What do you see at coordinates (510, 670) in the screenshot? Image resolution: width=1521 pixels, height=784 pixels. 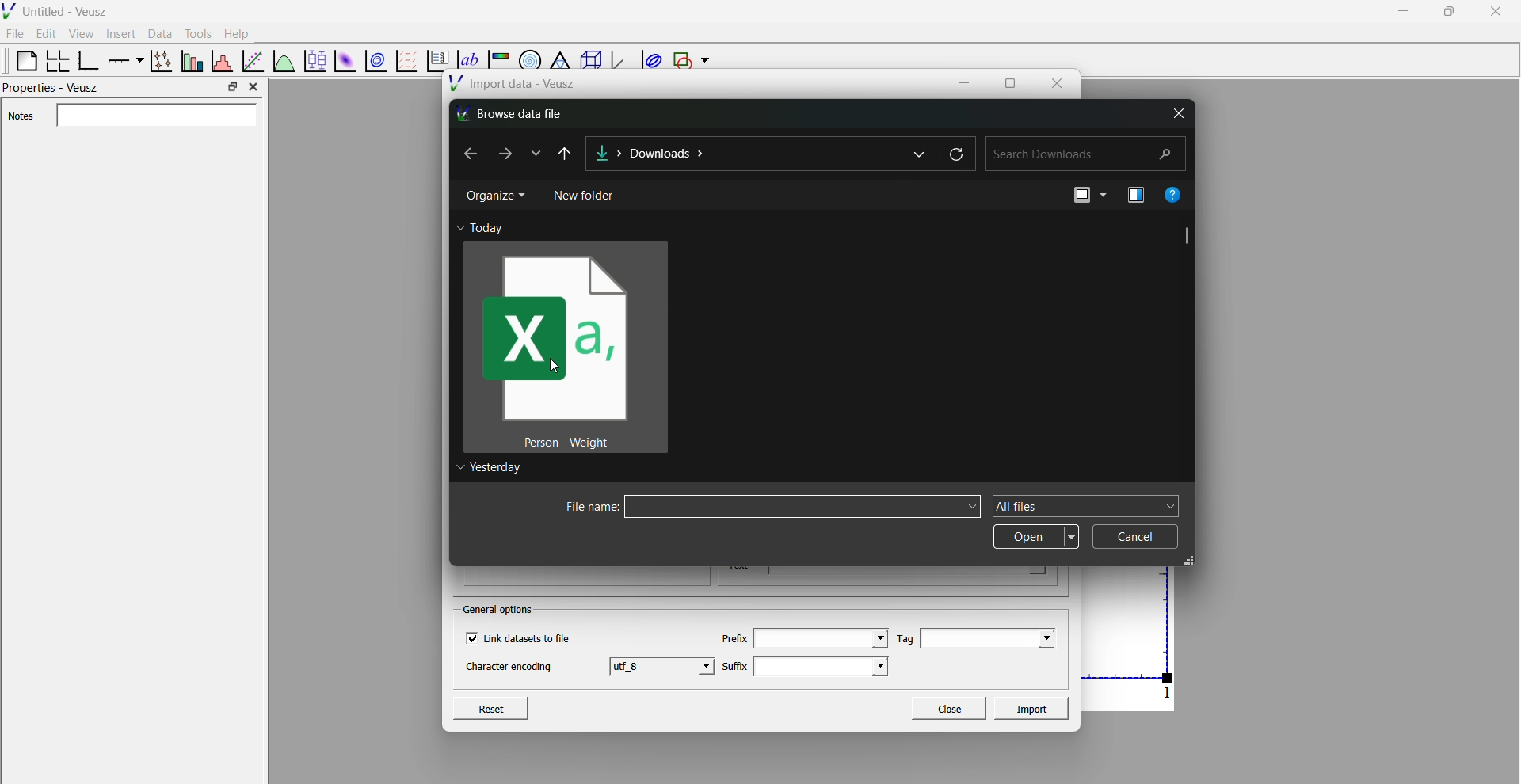 I see `Character encoding` at bounding box center [510, 670].